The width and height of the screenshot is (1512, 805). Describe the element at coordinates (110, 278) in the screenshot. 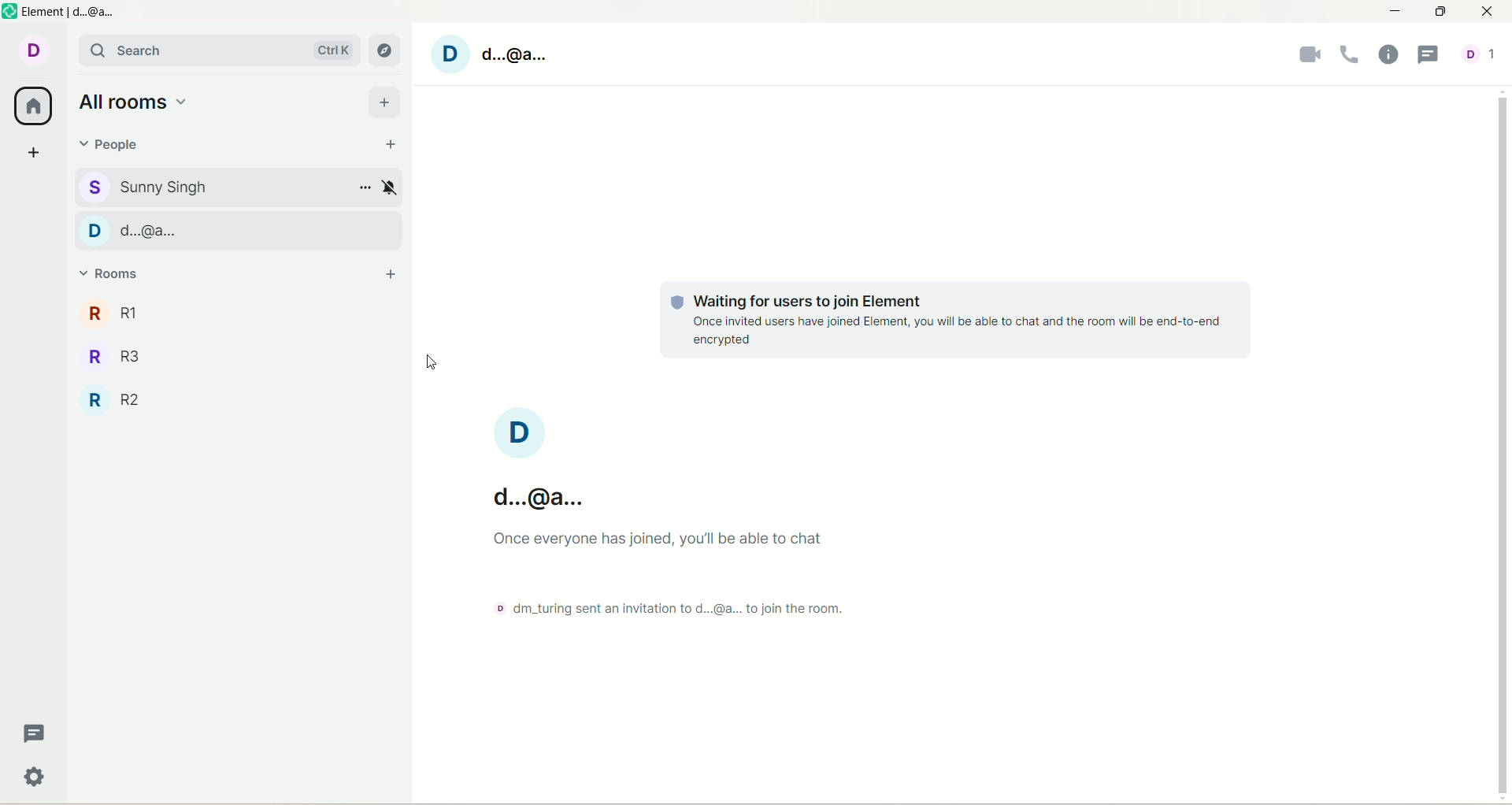

I see `rooms` at that location.